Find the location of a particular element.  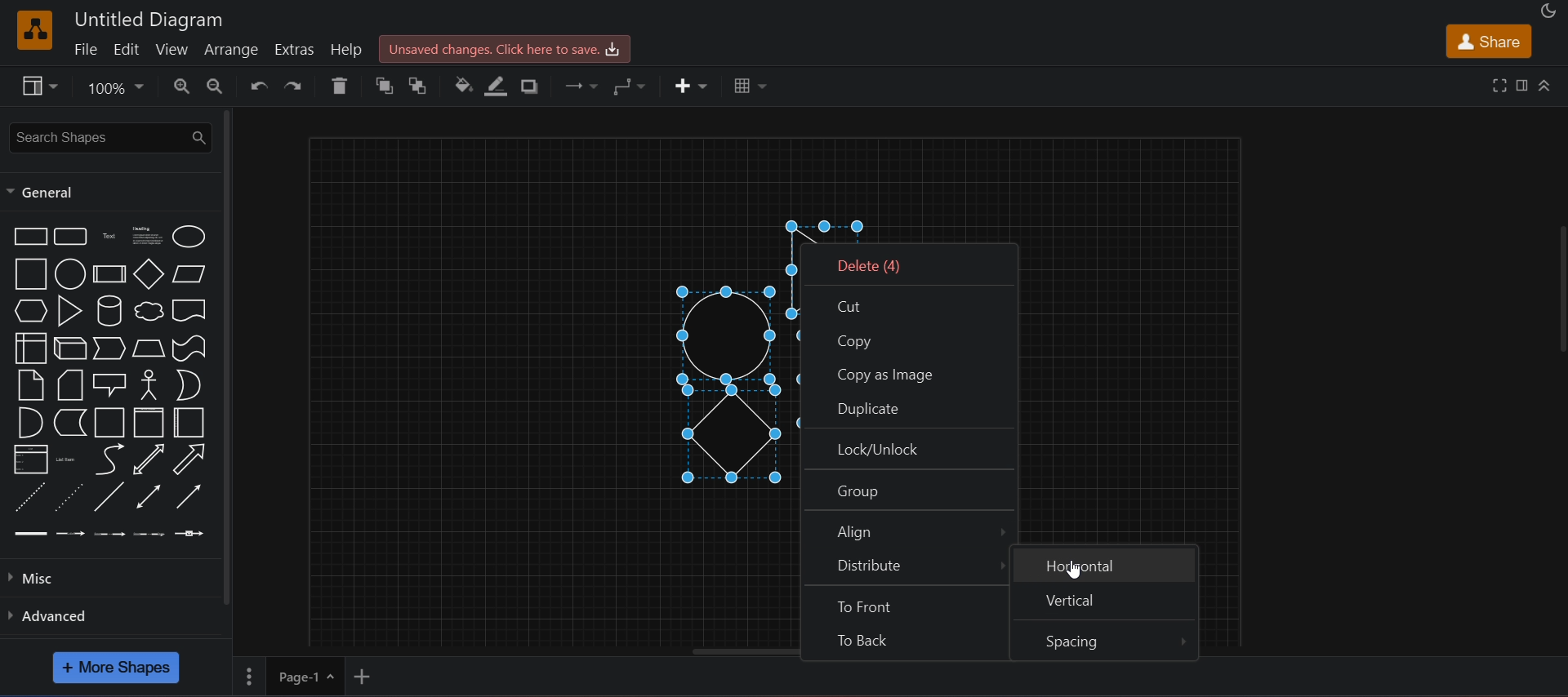

align is located at coordinates (911, 529).